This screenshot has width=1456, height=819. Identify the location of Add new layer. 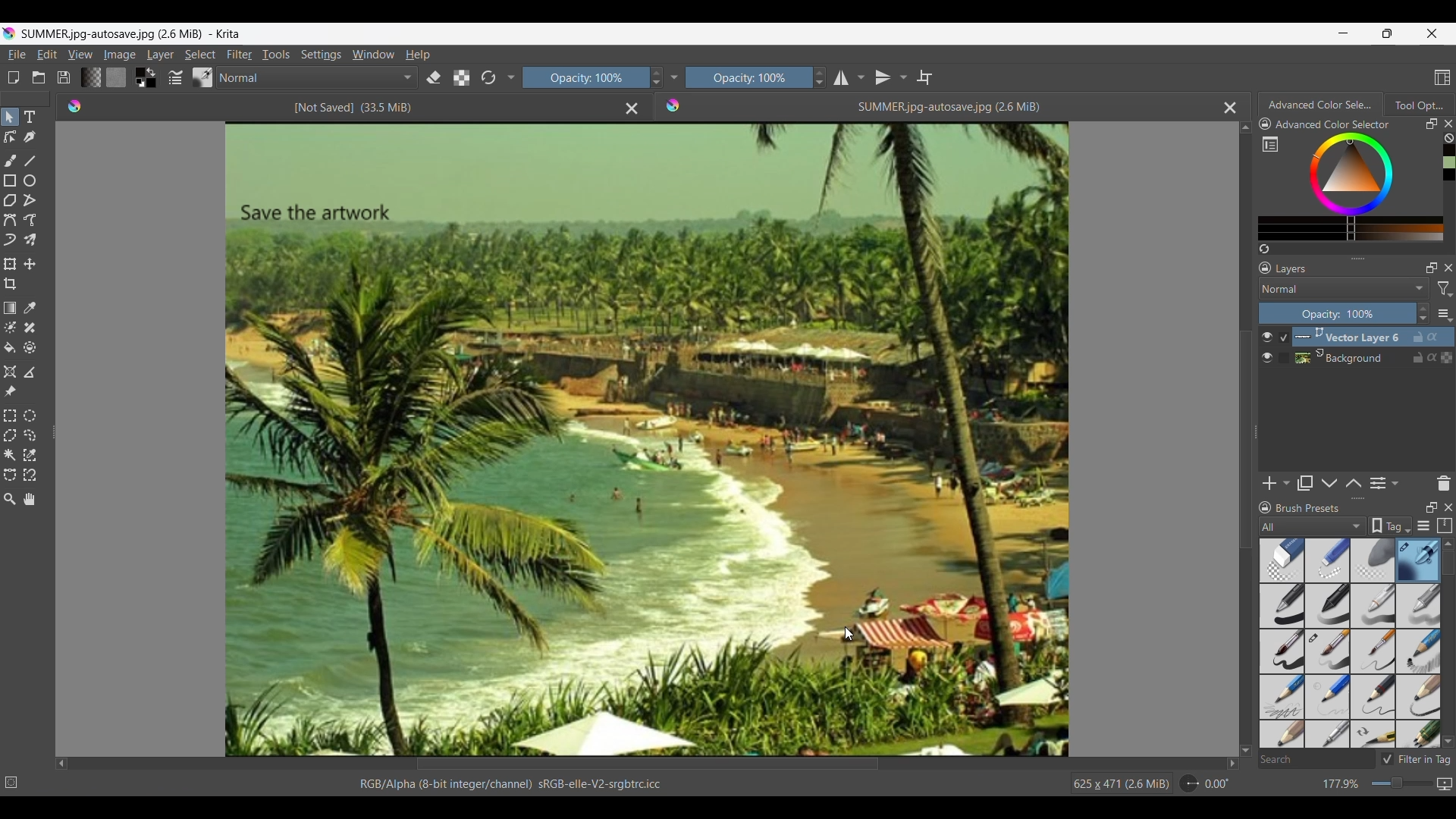
(1276, 483).